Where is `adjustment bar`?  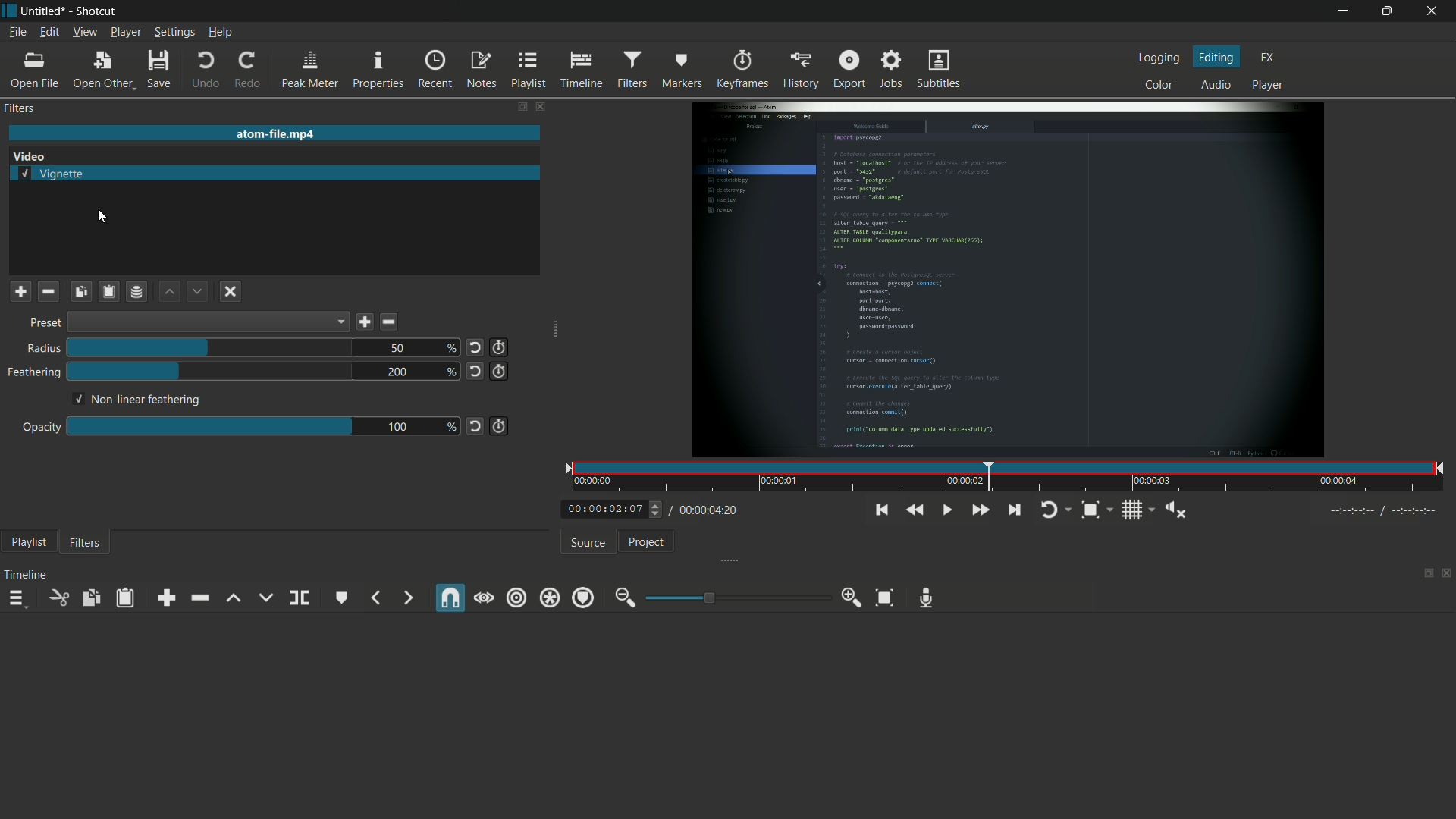
adjustment bar is located at coordinates (211, 347).